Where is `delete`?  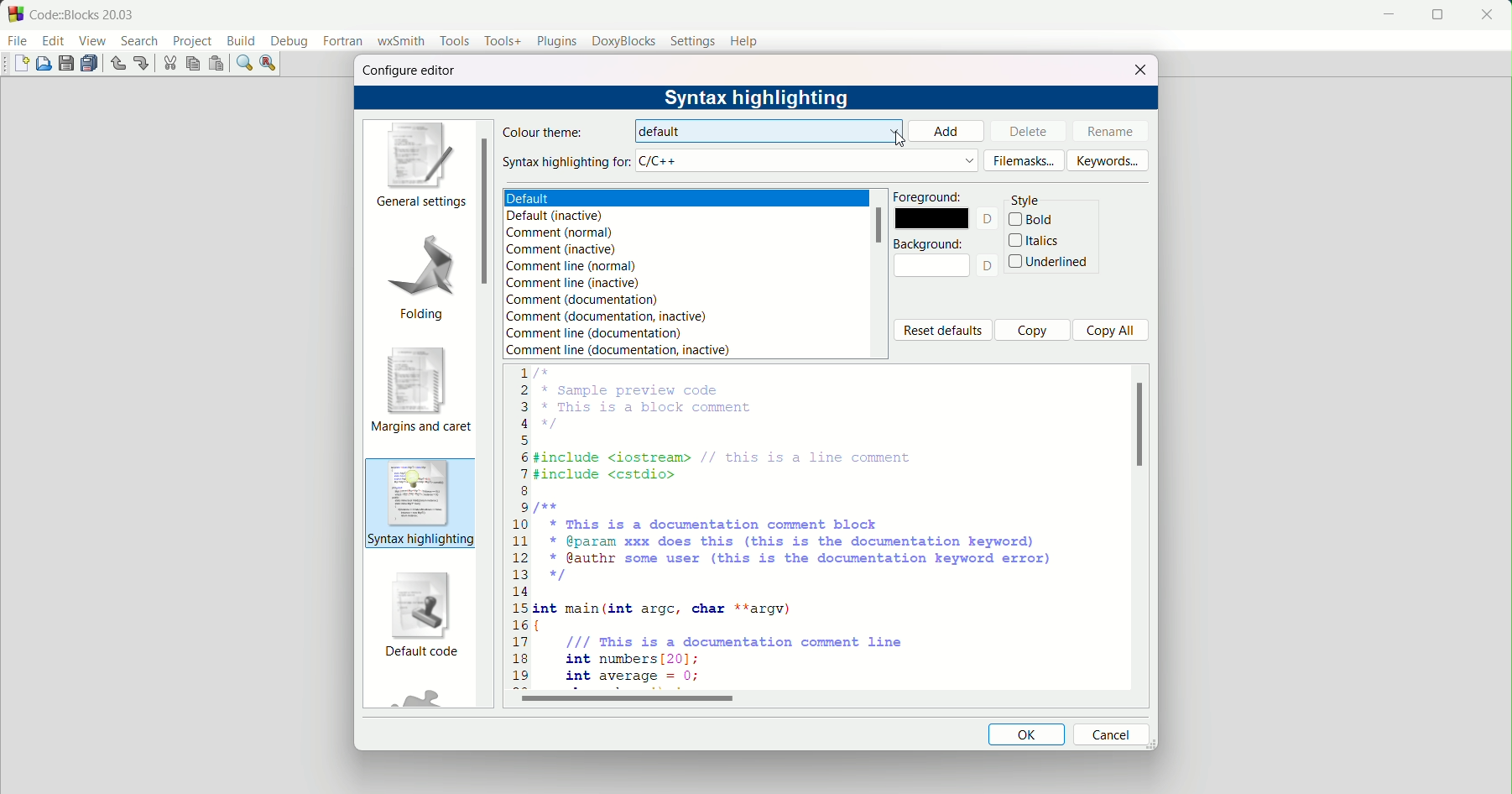
delete is located at coordinates (1023, 131).